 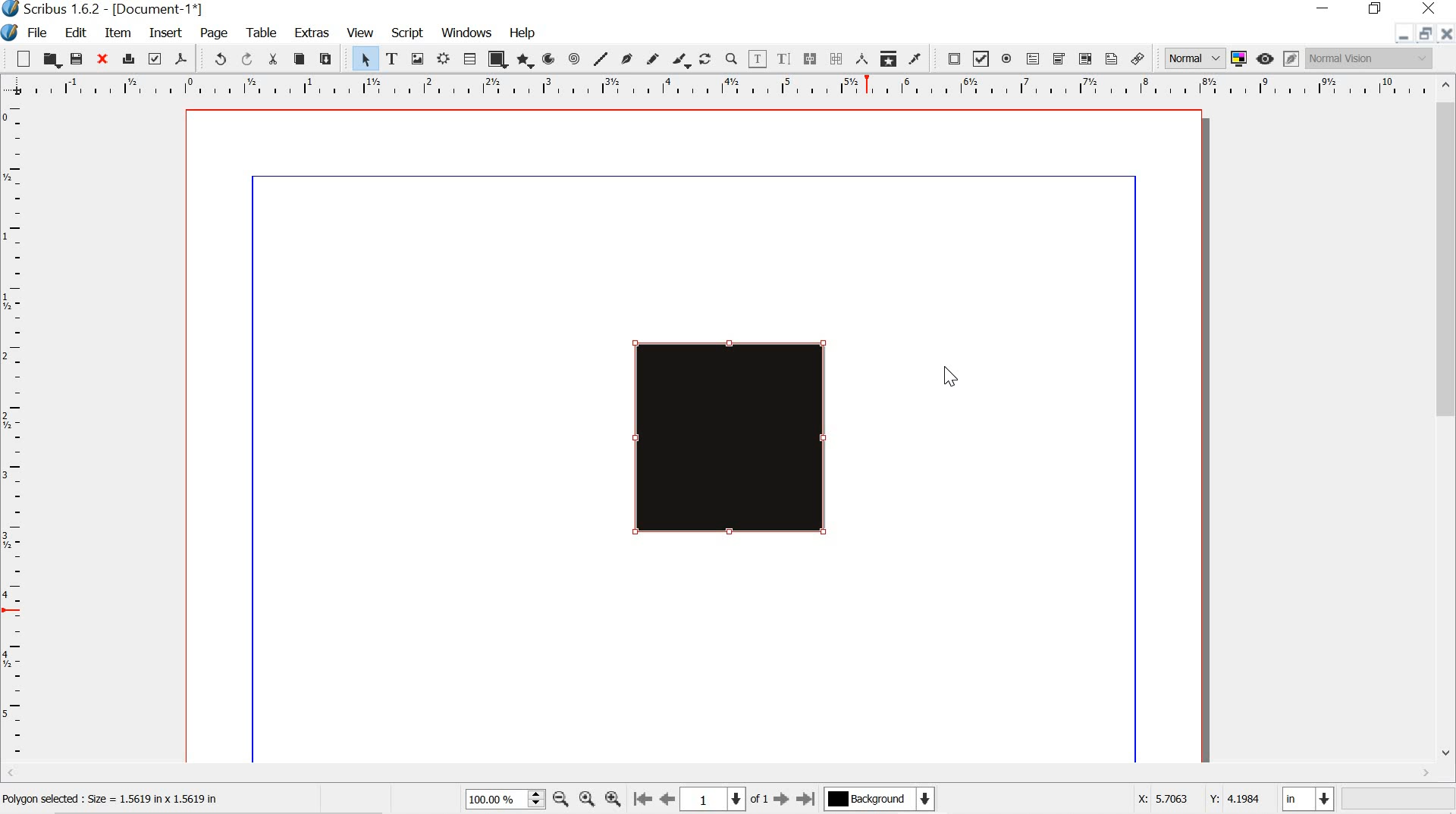 What do you see at coordinates (560, 798) in the screenshot?
I see `zoom out` at bounding box center [560, 798].